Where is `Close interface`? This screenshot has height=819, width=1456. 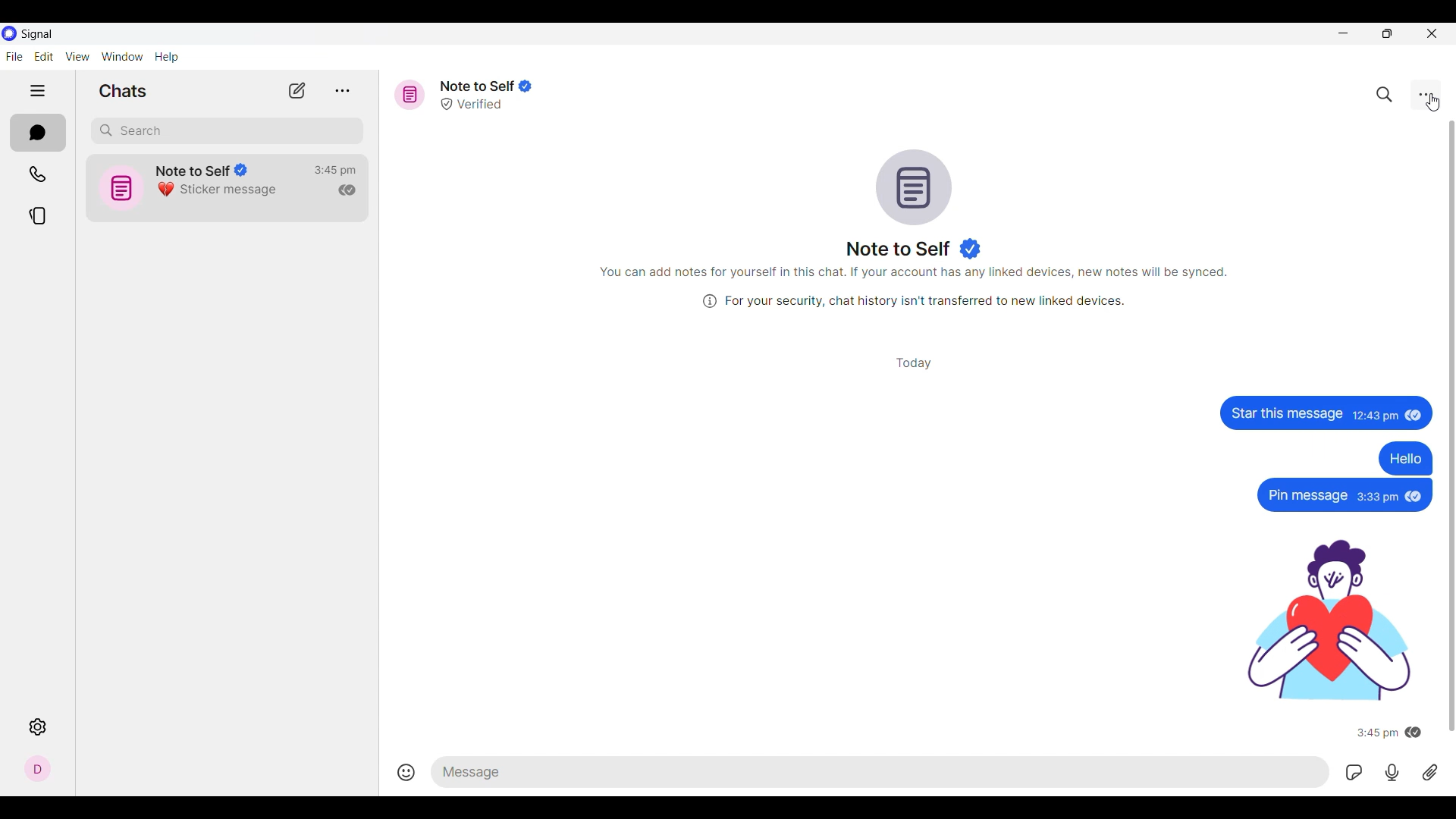 Close interface is located at coordinates (1433, 33).